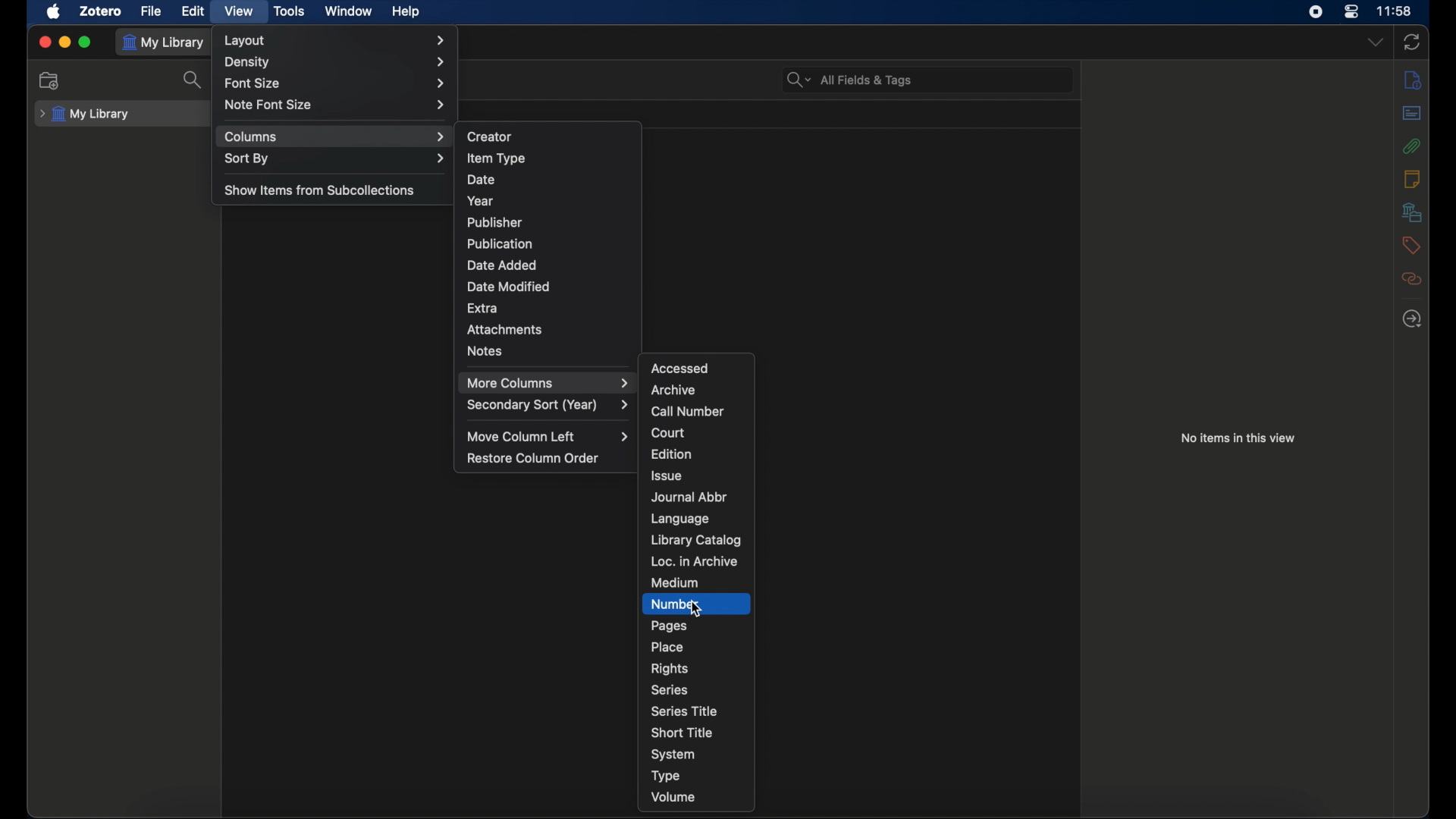 The width and height of the screenshot is (1456, 819). I want to click on date modified, so click(508, 287).